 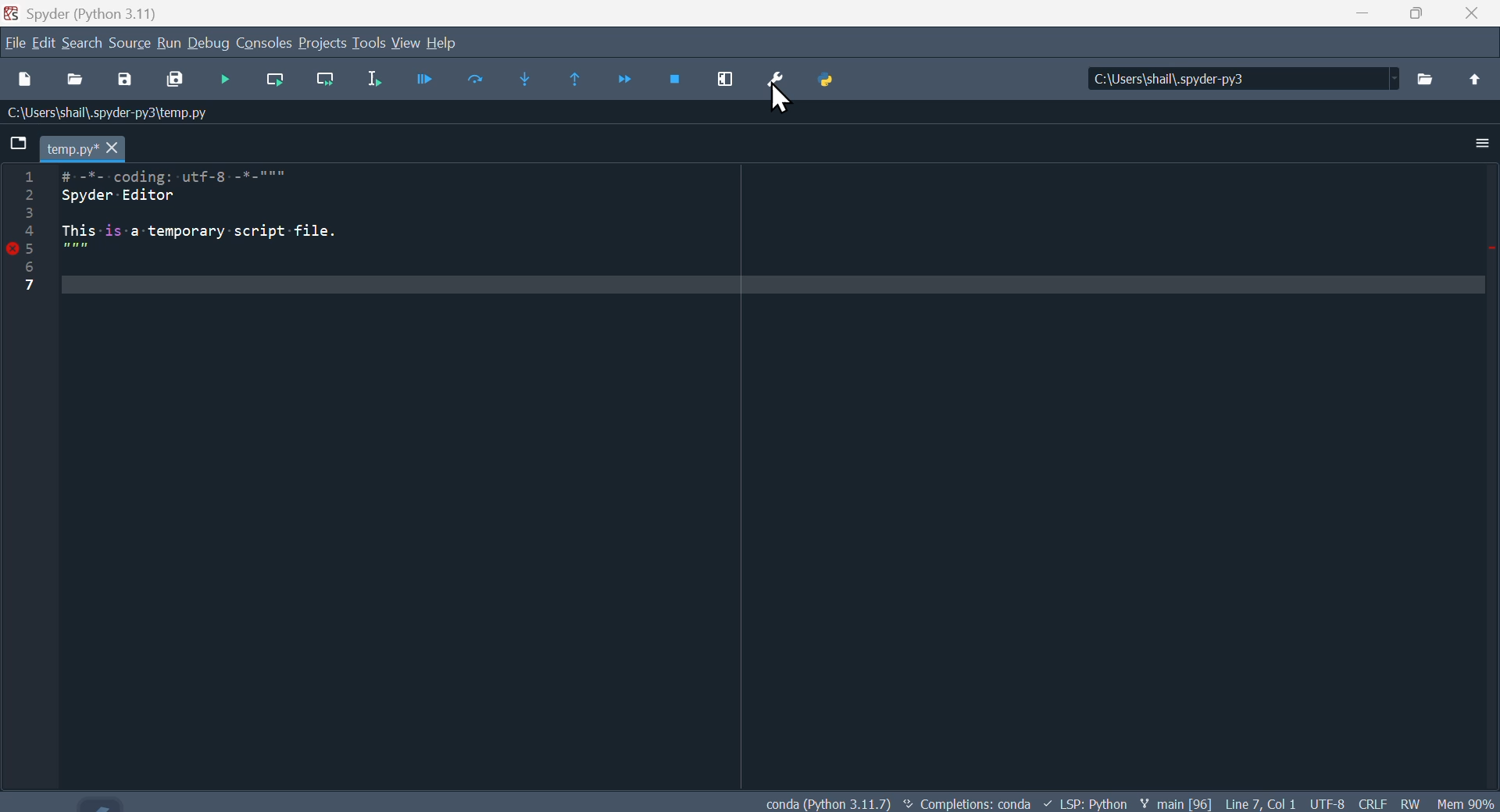 I want to click on Debug, so click(x=210, y=44).